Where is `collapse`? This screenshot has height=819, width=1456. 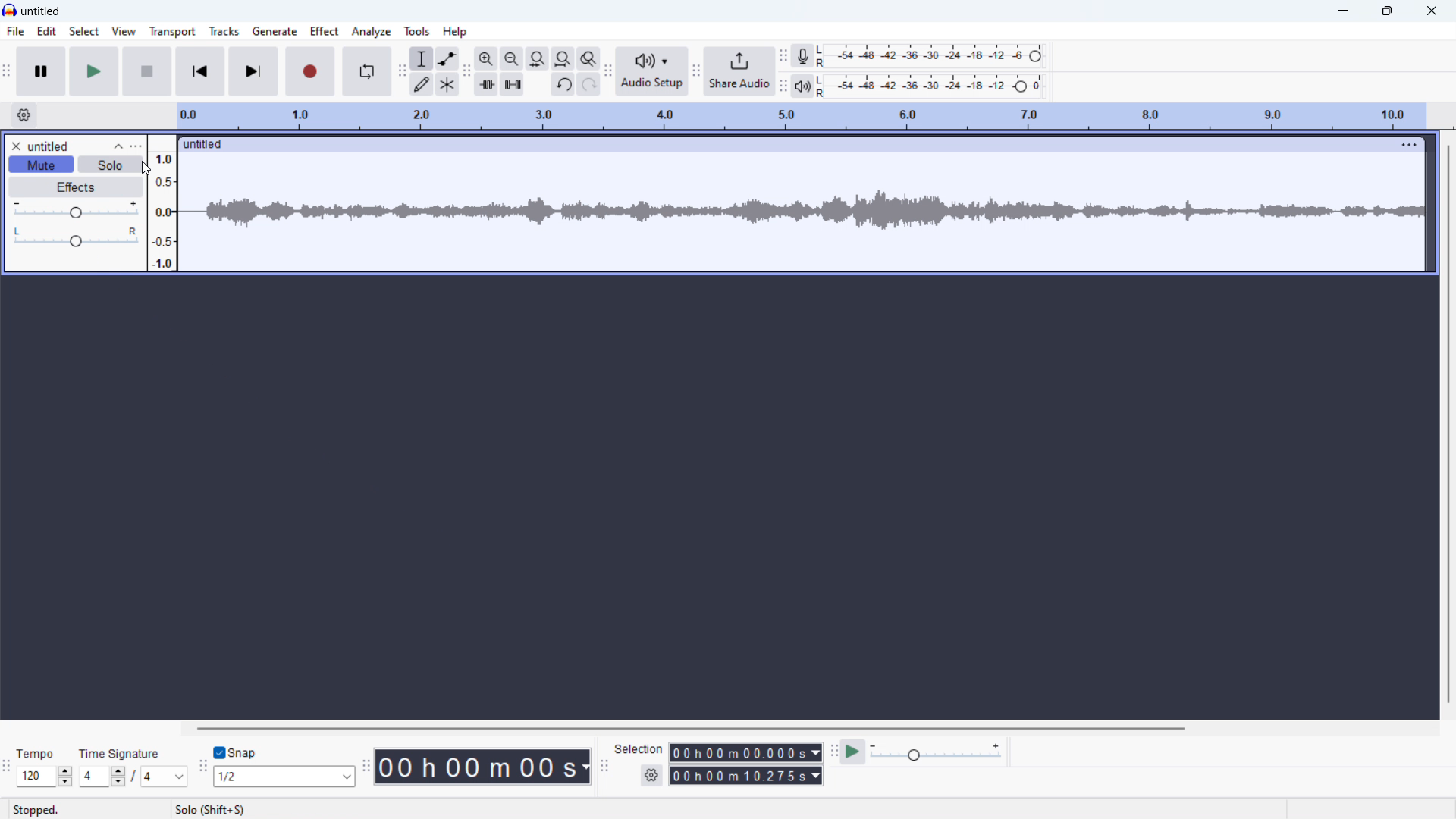 collapse is located at coordinates (118, 146).